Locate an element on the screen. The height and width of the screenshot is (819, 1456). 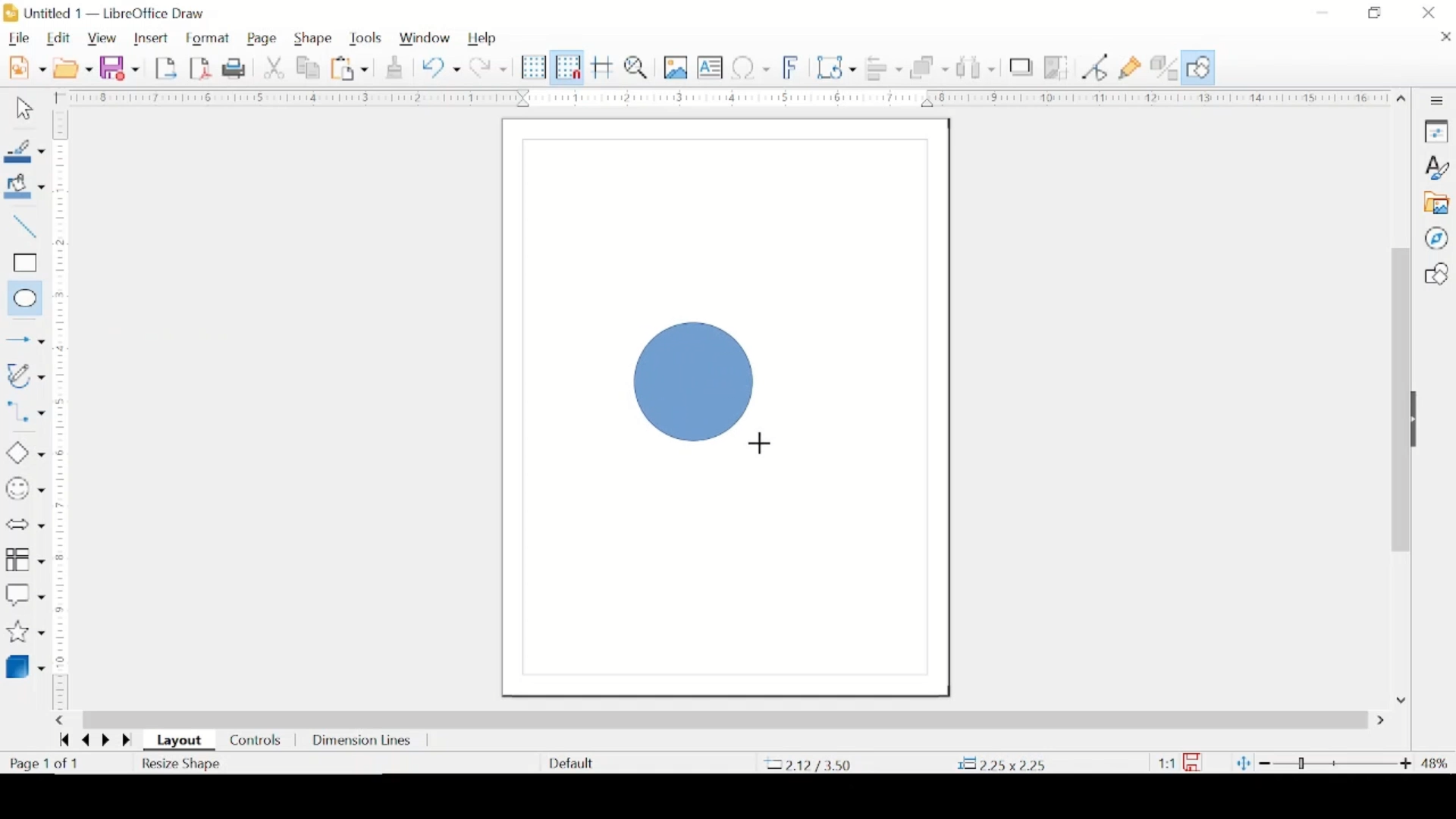
zoom and pan is located at coordinates (637, 68).